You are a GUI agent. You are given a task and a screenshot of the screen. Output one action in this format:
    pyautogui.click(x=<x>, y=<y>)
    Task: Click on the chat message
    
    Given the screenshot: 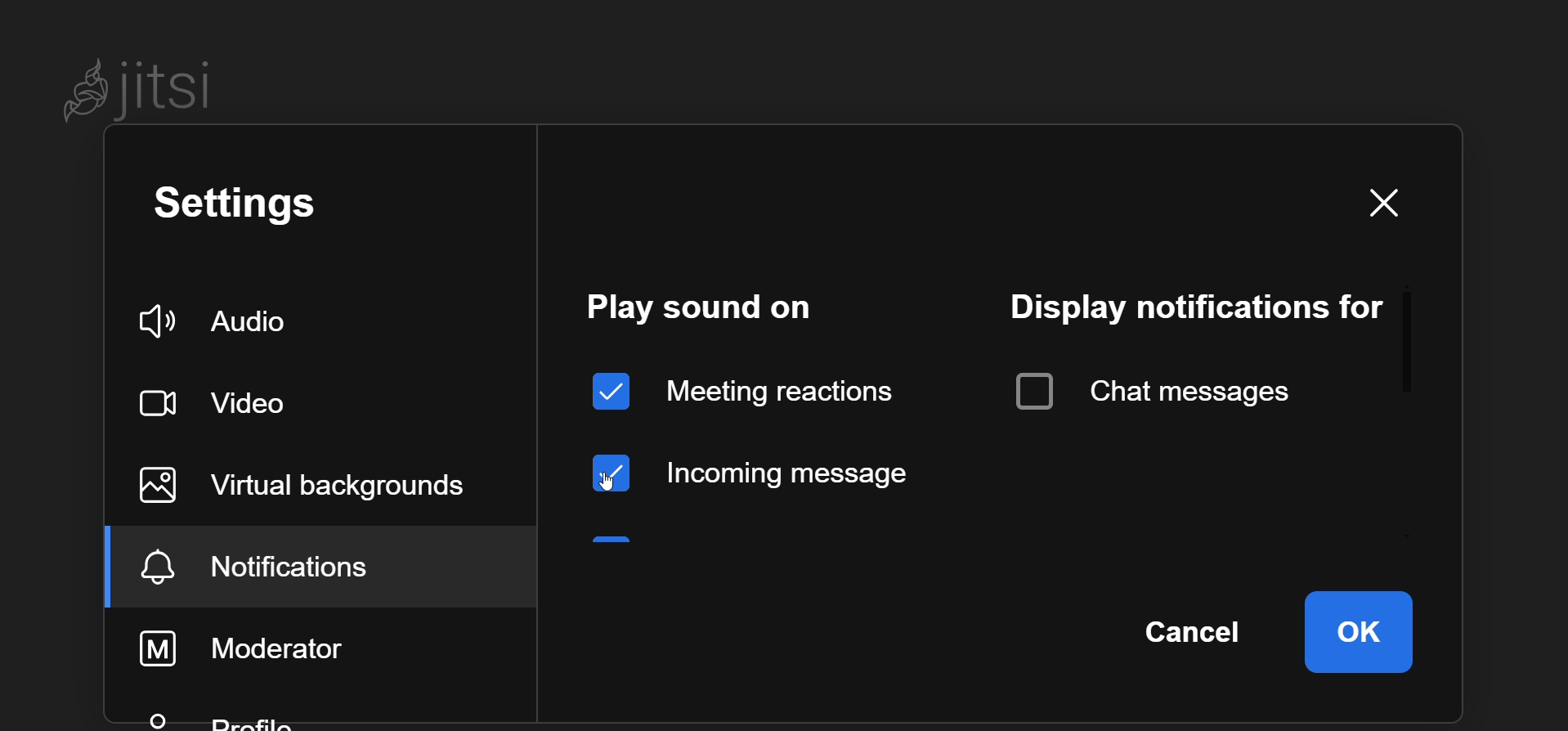 What is the action you would take?
    pyautogui.click(x=1158, y=385)
    